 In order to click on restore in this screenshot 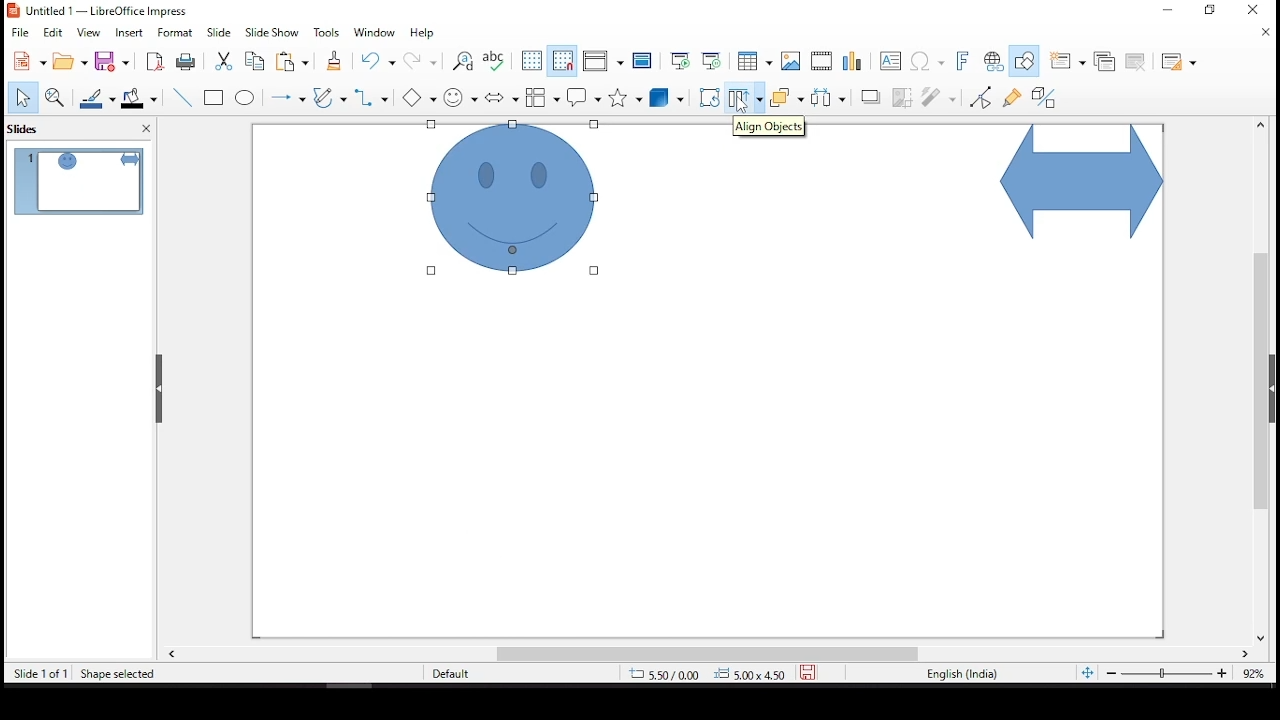, I will do `click(1215, 14)`.